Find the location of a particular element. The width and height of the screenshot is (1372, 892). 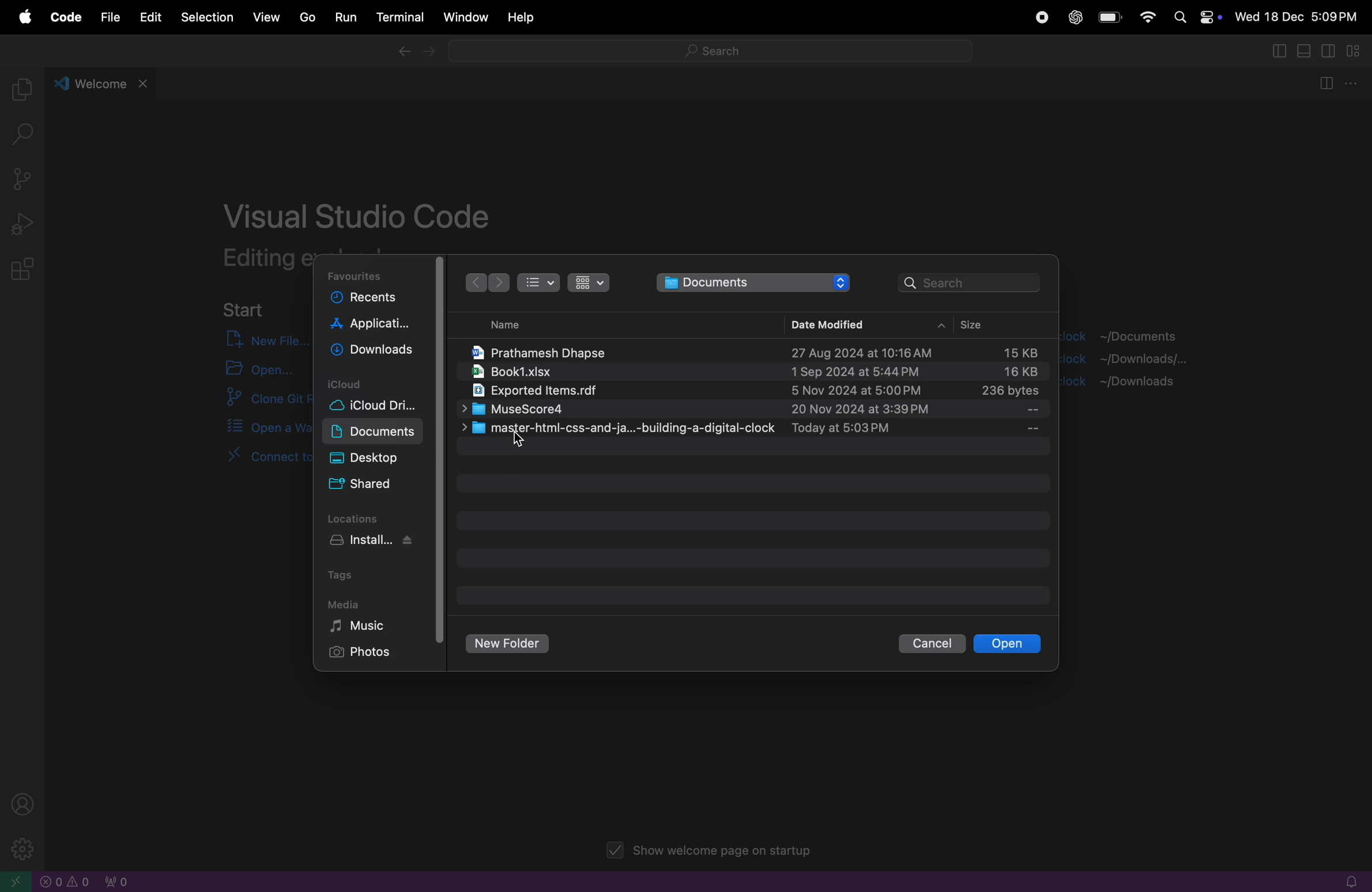

alert is located at coordinates (1345, 882).